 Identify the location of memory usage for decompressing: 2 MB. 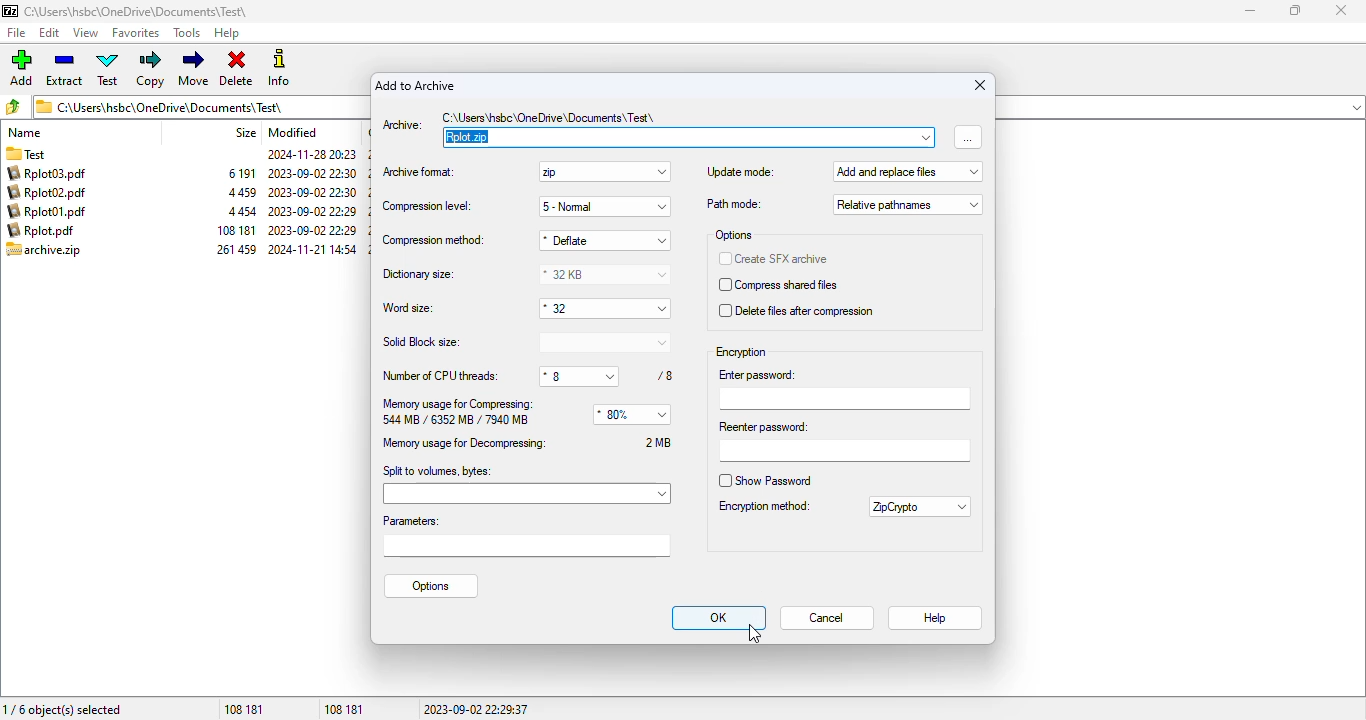
(527, 442).